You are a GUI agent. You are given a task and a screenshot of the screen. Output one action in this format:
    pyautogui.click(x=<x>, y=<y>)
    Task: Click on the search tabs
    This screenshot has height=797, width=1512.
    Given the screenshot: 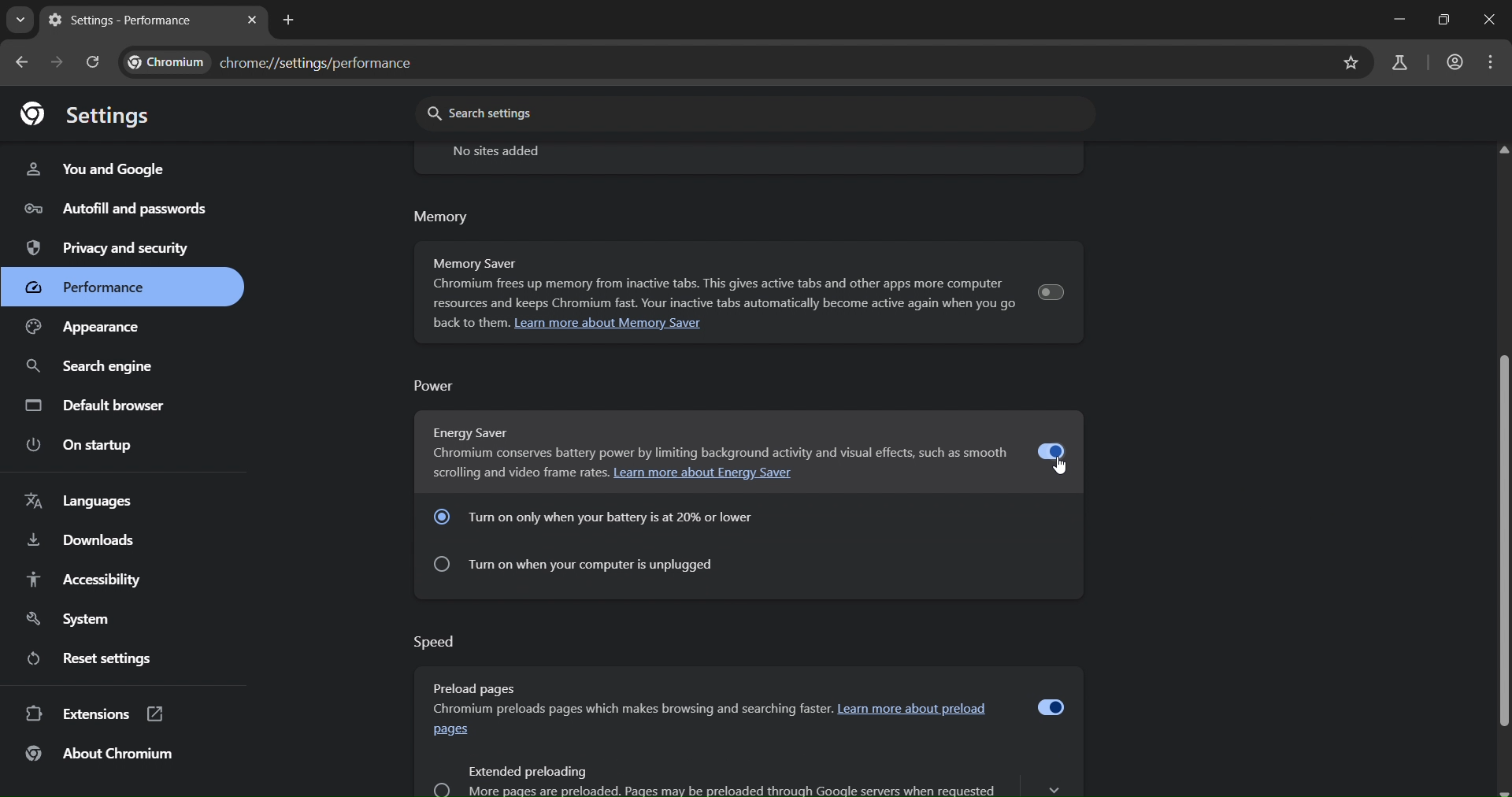 What is the action you would take?
    pyautogui.click(x=20, y=21)
    